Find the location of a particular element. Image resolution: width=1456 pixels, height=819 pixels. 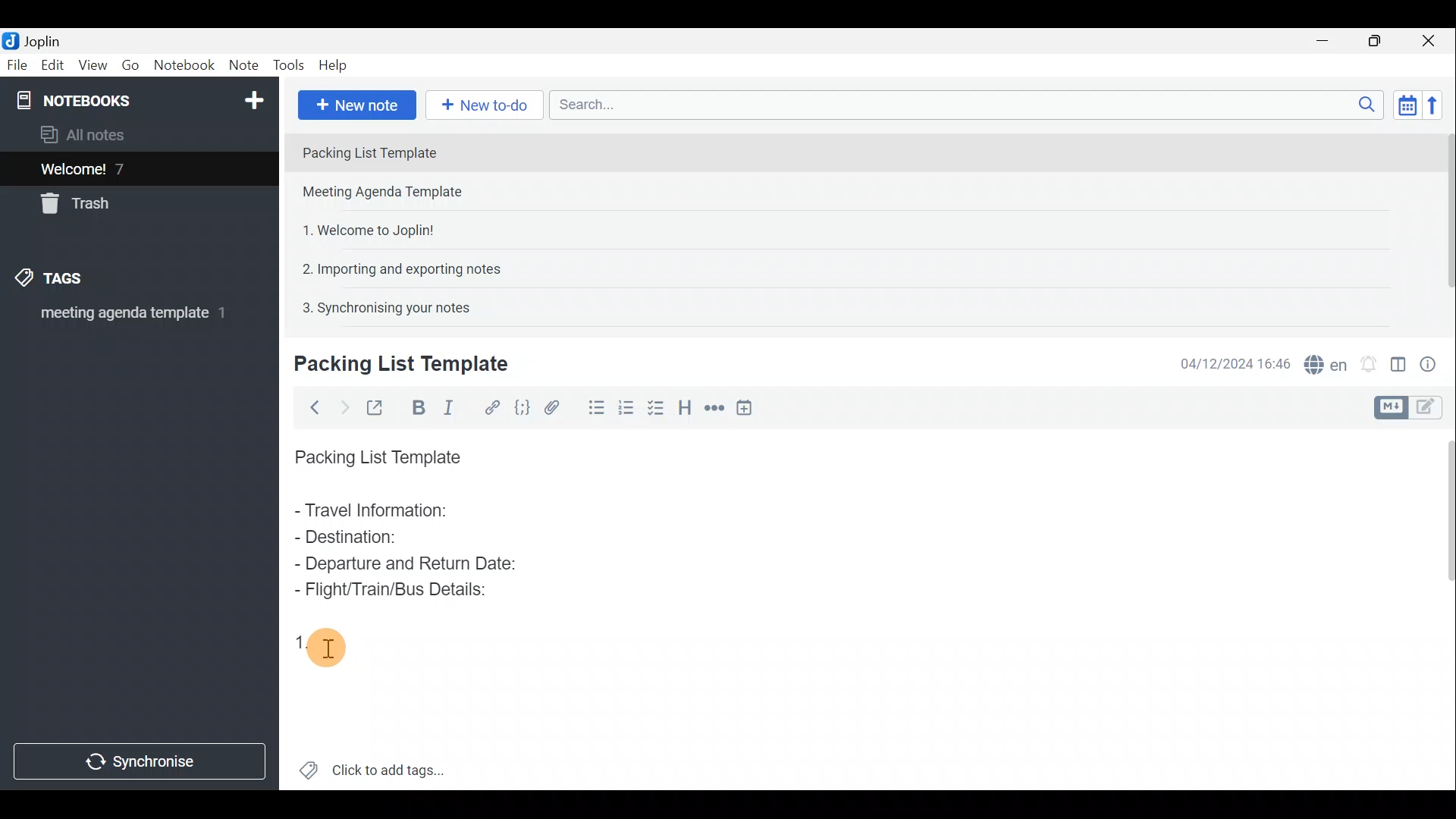

New to-do is located at coordinates (485, 105).